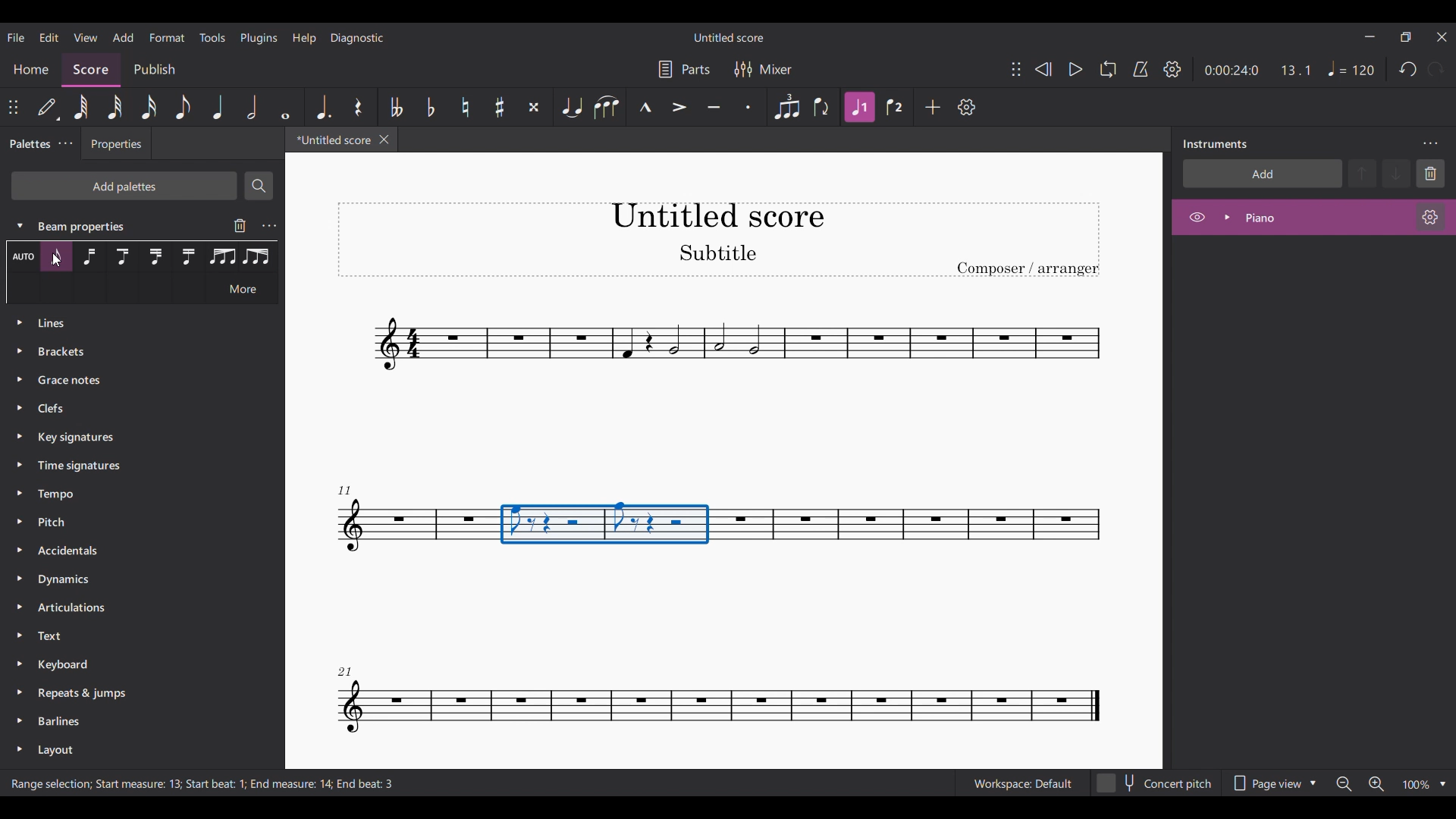 The height and width of the screenshot is (819, 1456). Describe the element at coordinates (396, 107) in the screenshot. I see `Toggle double flat` at that location.